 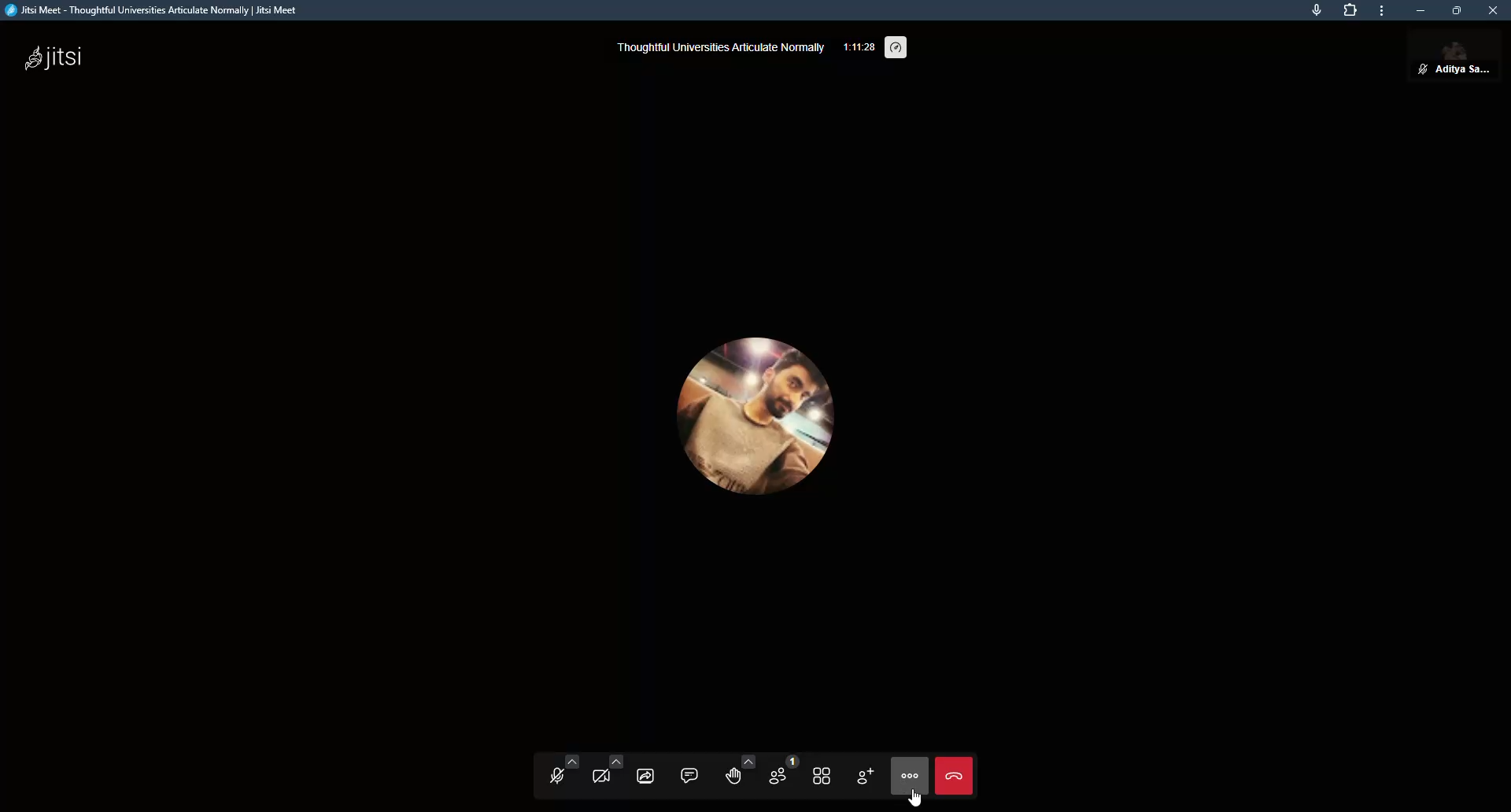 What do you see at coordinates (911, 774) in the screenshot?
I see `more actions` at bounding box center [911, 774].